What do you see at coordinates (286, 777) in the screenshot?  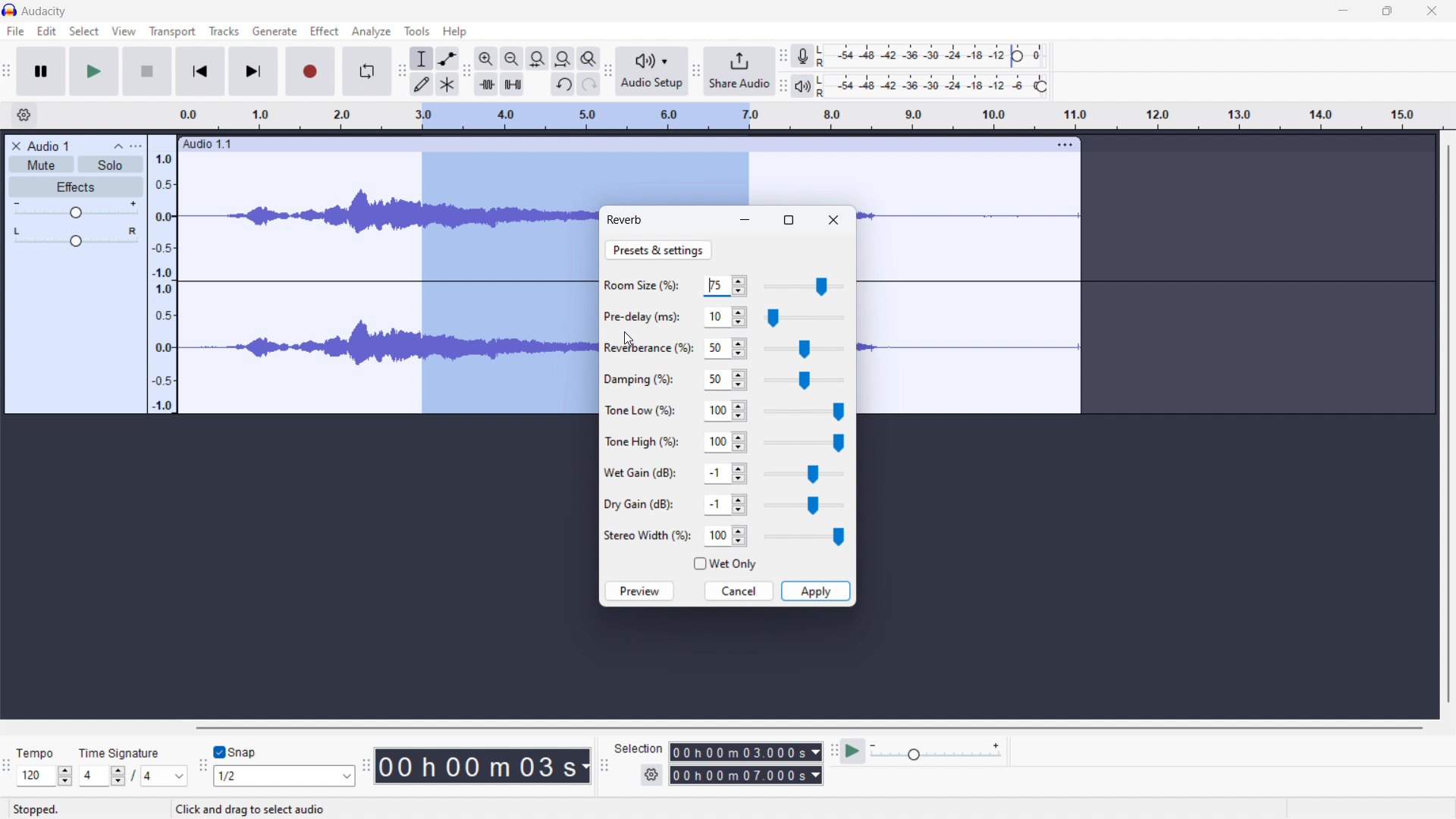 I see `1/2` at bounding box center [286, 777].